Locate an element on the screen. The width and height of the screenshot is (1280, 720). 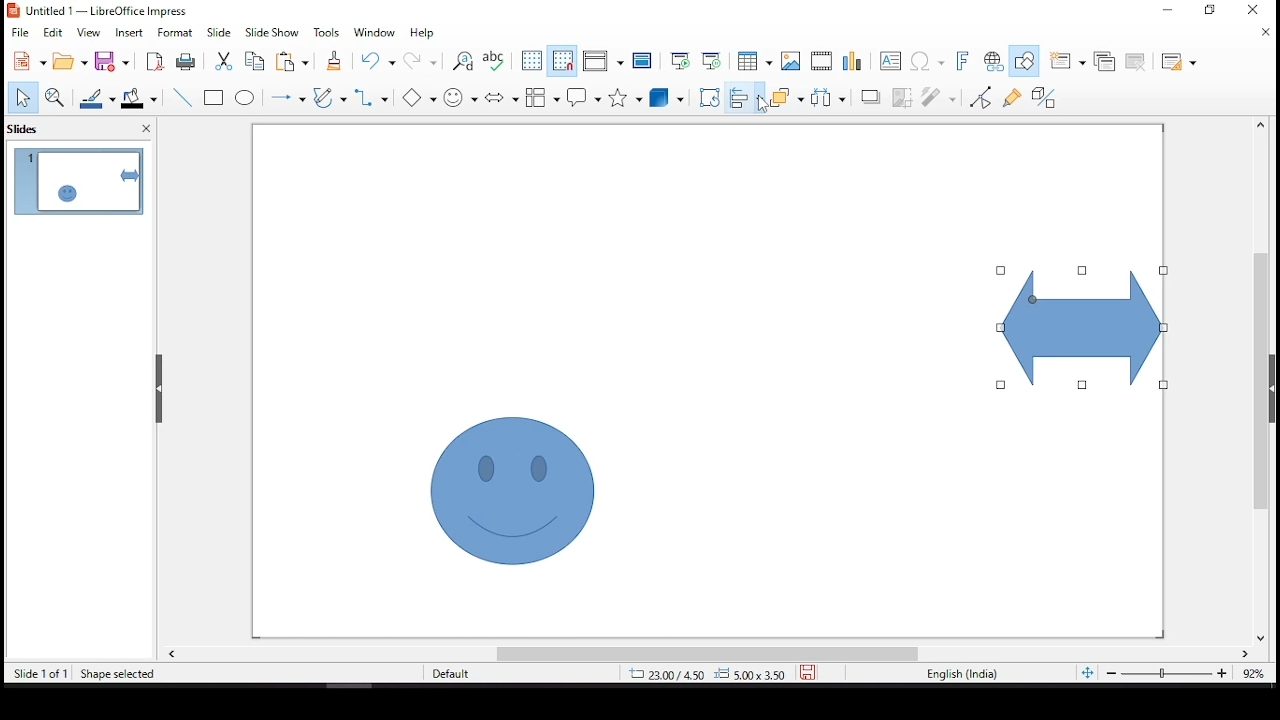
line color is located at coordinates (99, 98).